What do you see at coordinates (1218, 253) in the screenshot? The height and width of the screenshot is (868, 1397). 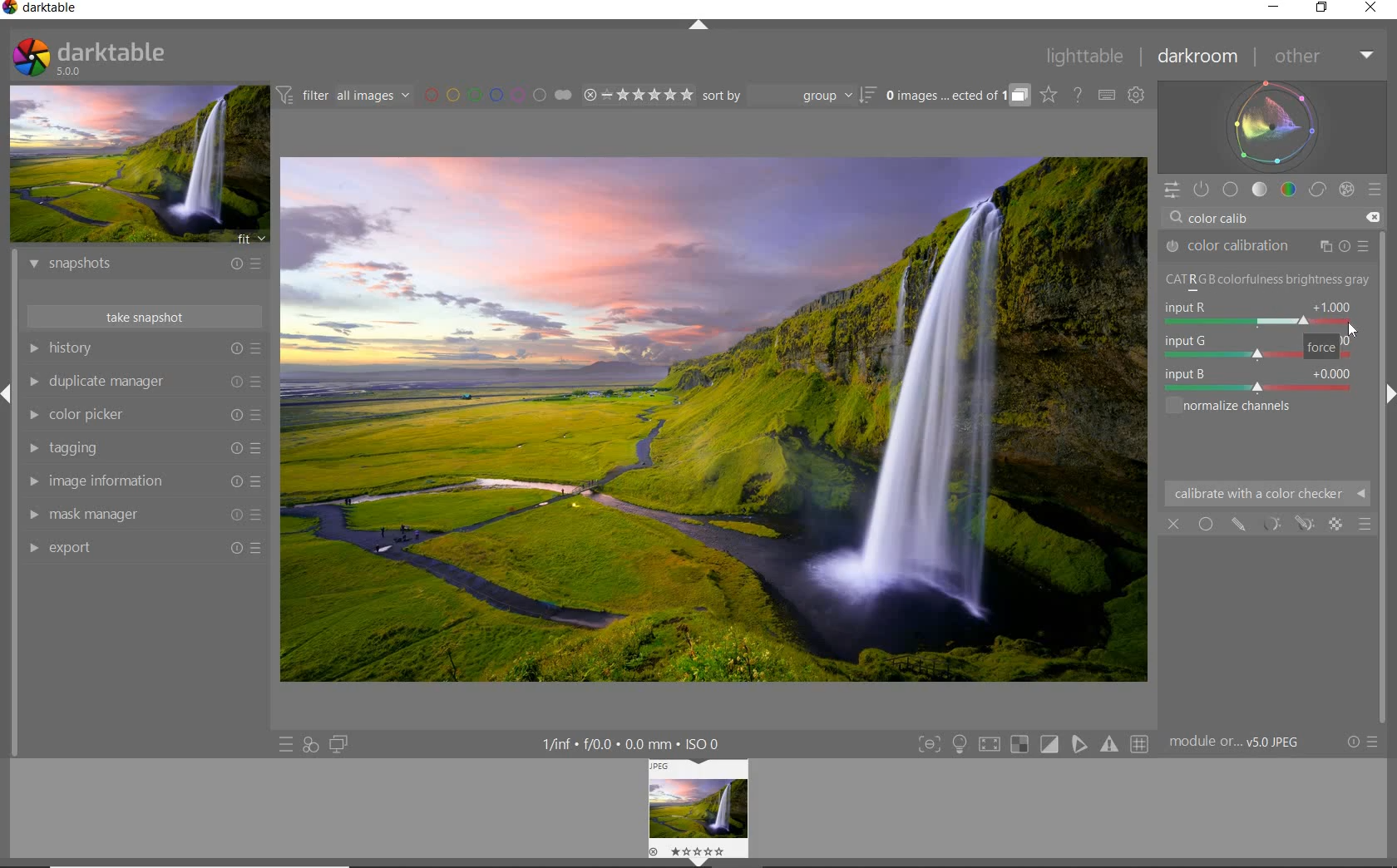 I see `cursor` at bounding box center [1218, 253].